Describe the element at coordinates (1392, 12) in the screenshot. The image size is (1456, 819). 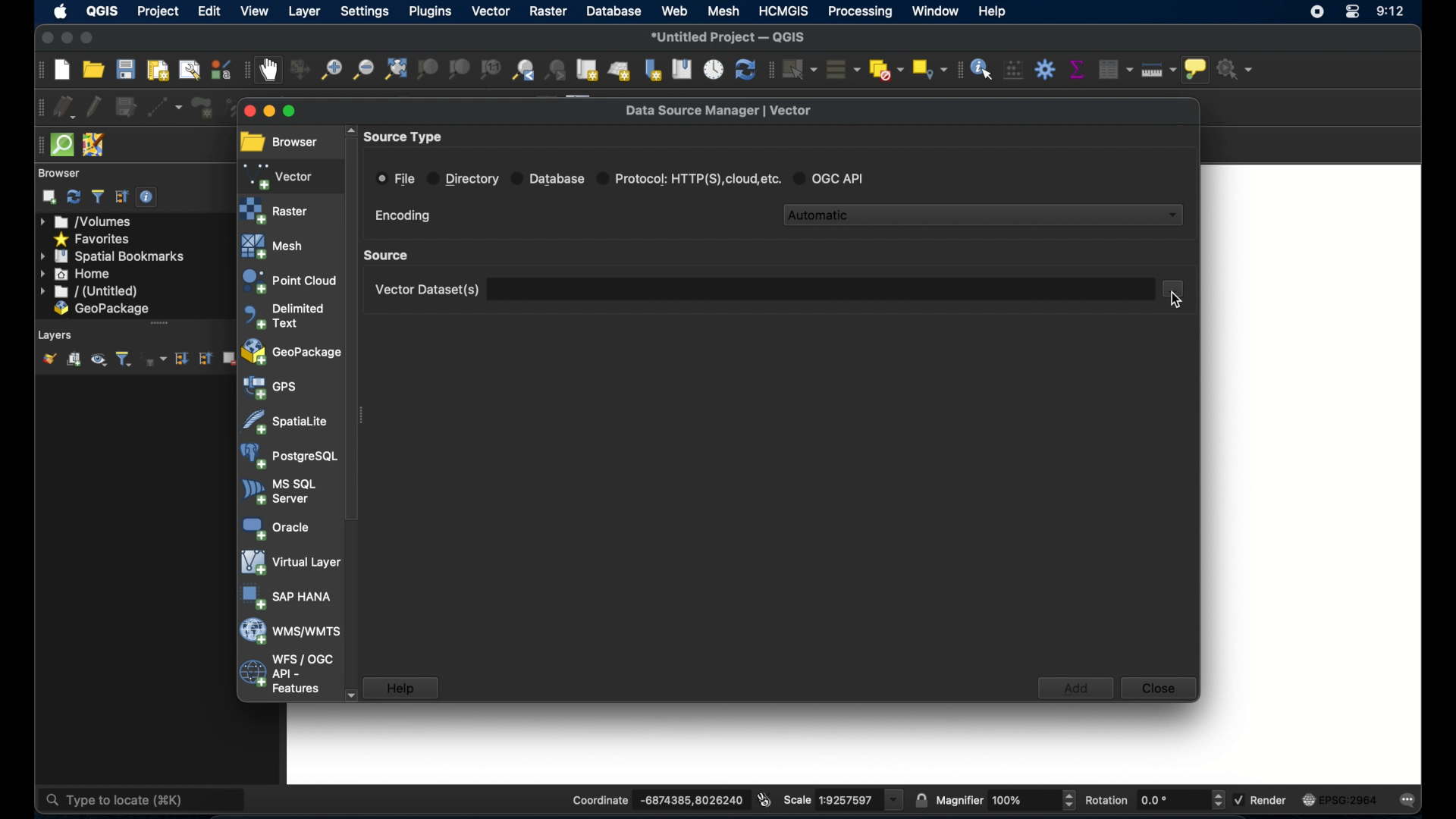
I see `time` at that location.